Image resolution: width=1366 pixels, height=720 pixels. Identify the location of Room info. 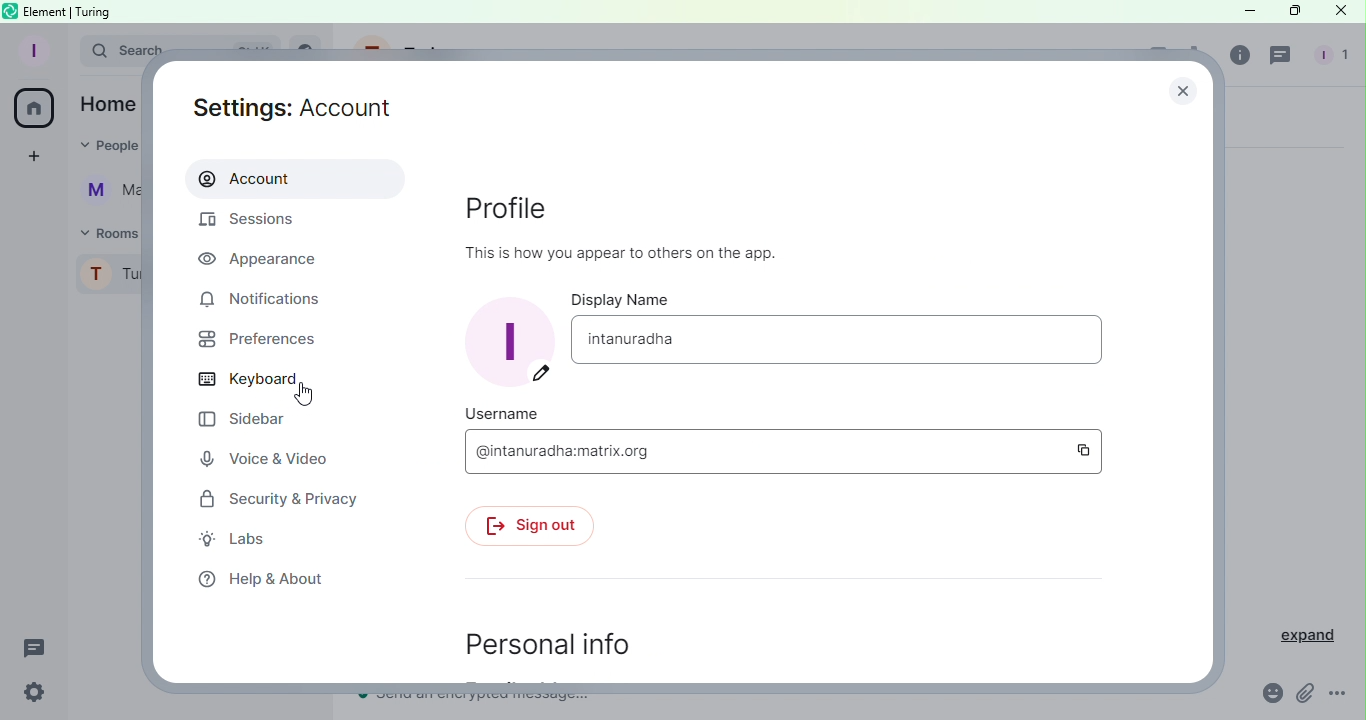
(1237, 59).